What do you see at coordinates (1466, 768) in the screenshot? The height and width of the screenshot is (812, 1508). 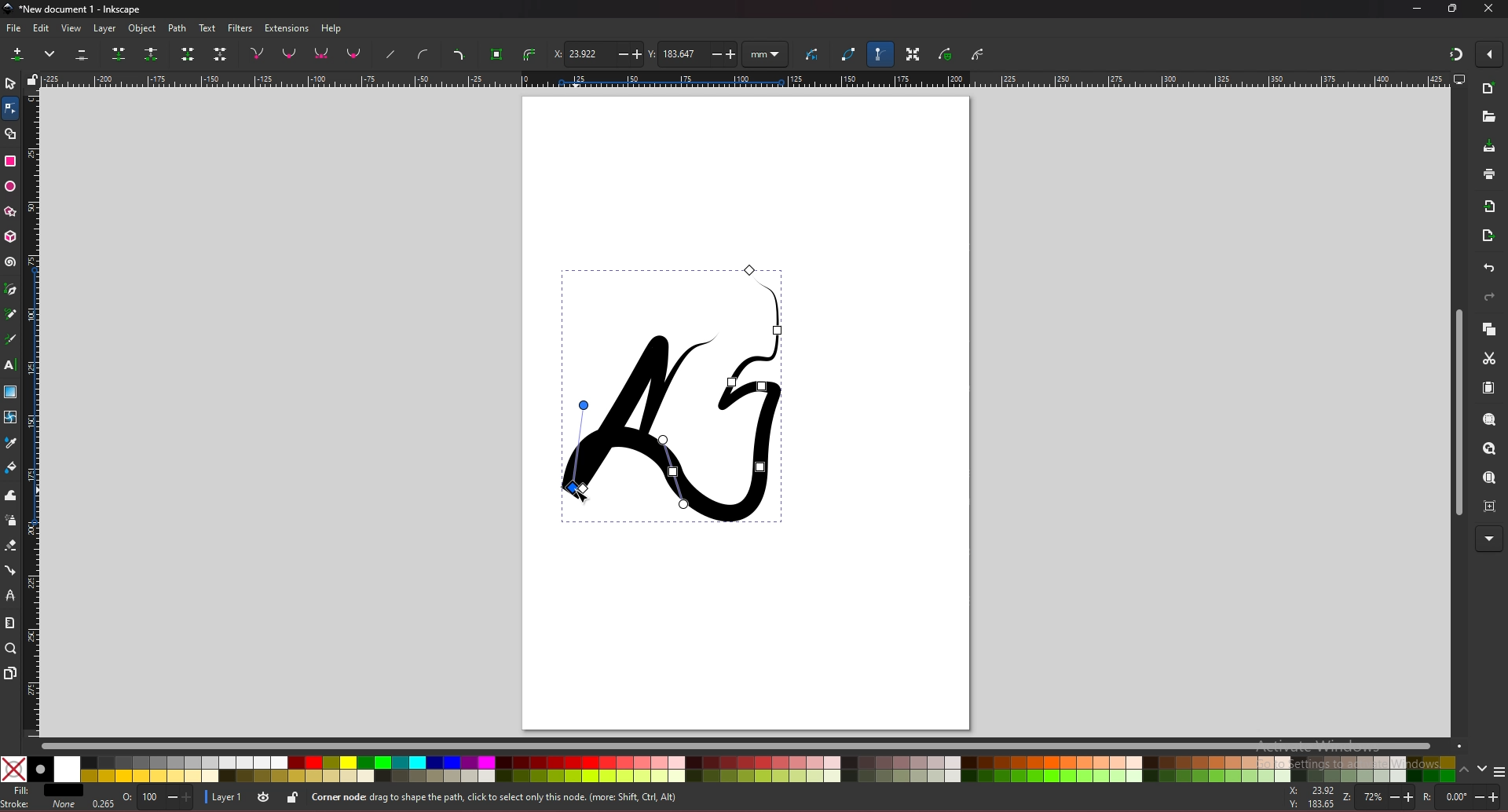 I see `up` at bounding box center [1466, 768].